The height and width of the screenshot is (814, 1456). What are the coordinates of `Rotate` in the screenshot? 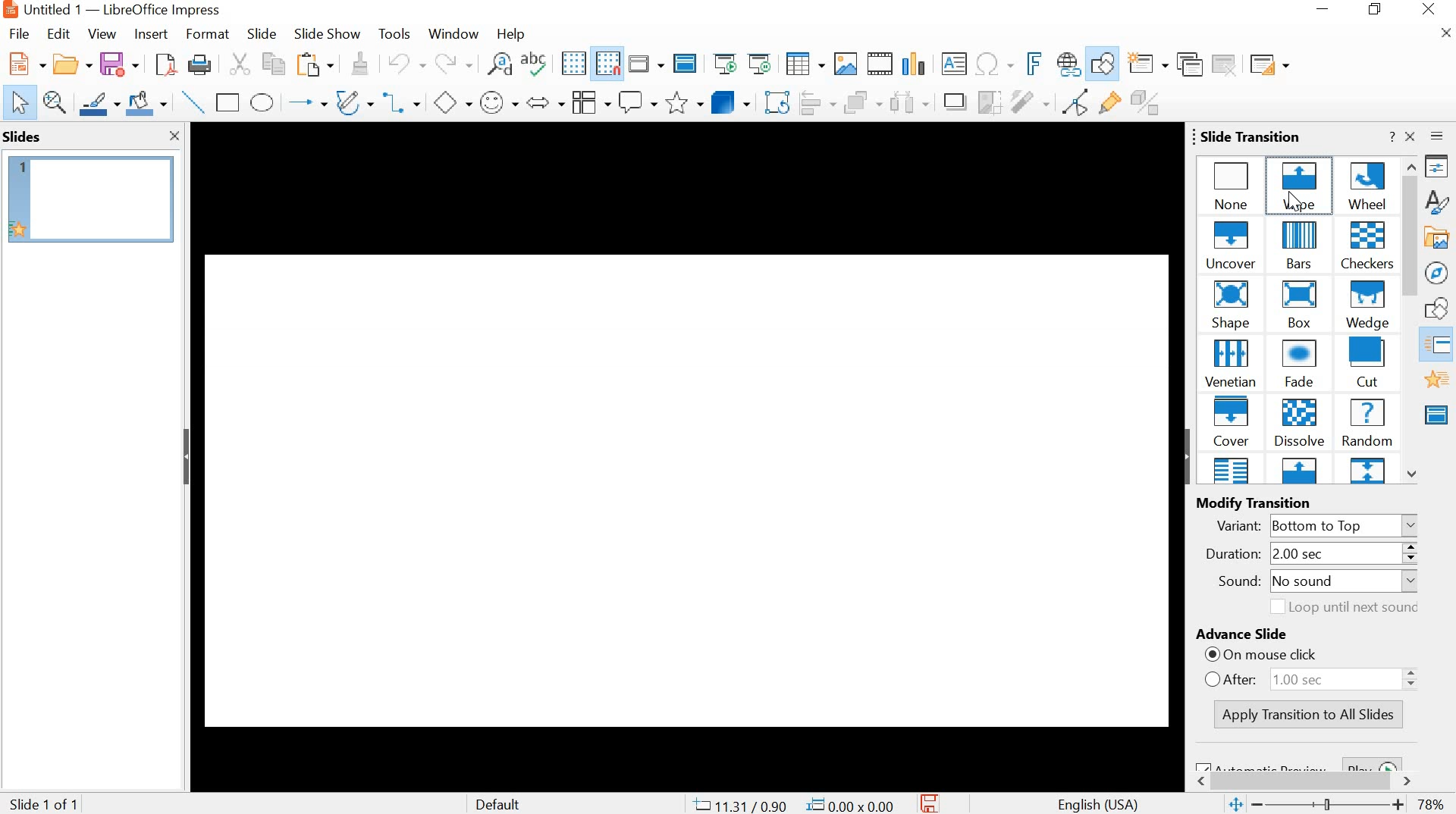 It's located at (779, 102).